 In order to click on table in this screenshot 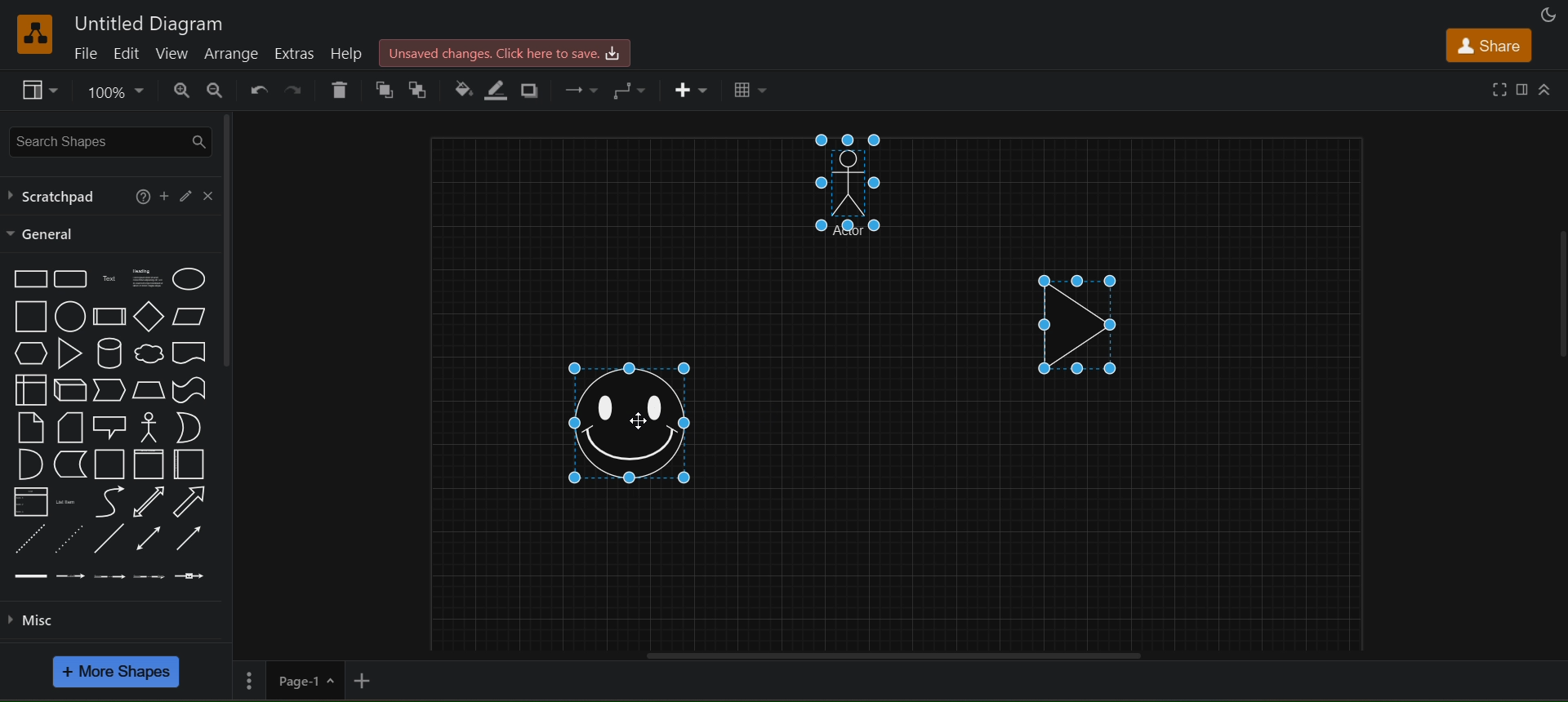, I will do `click(750, 91)`.